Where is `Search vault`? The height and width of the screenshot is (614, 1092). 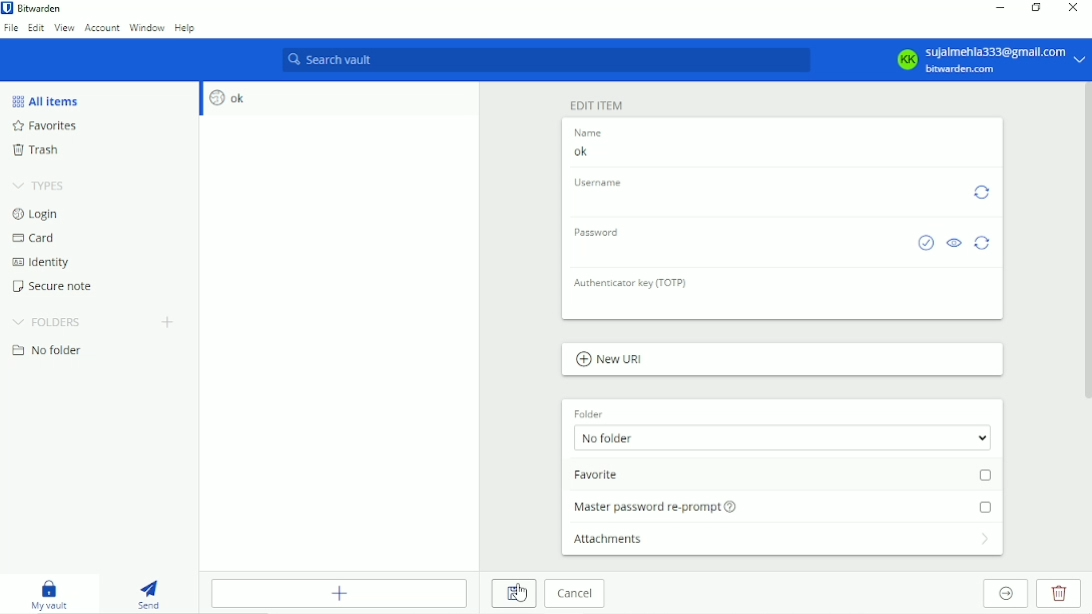
Search vault is located at coordinates (544, 59).